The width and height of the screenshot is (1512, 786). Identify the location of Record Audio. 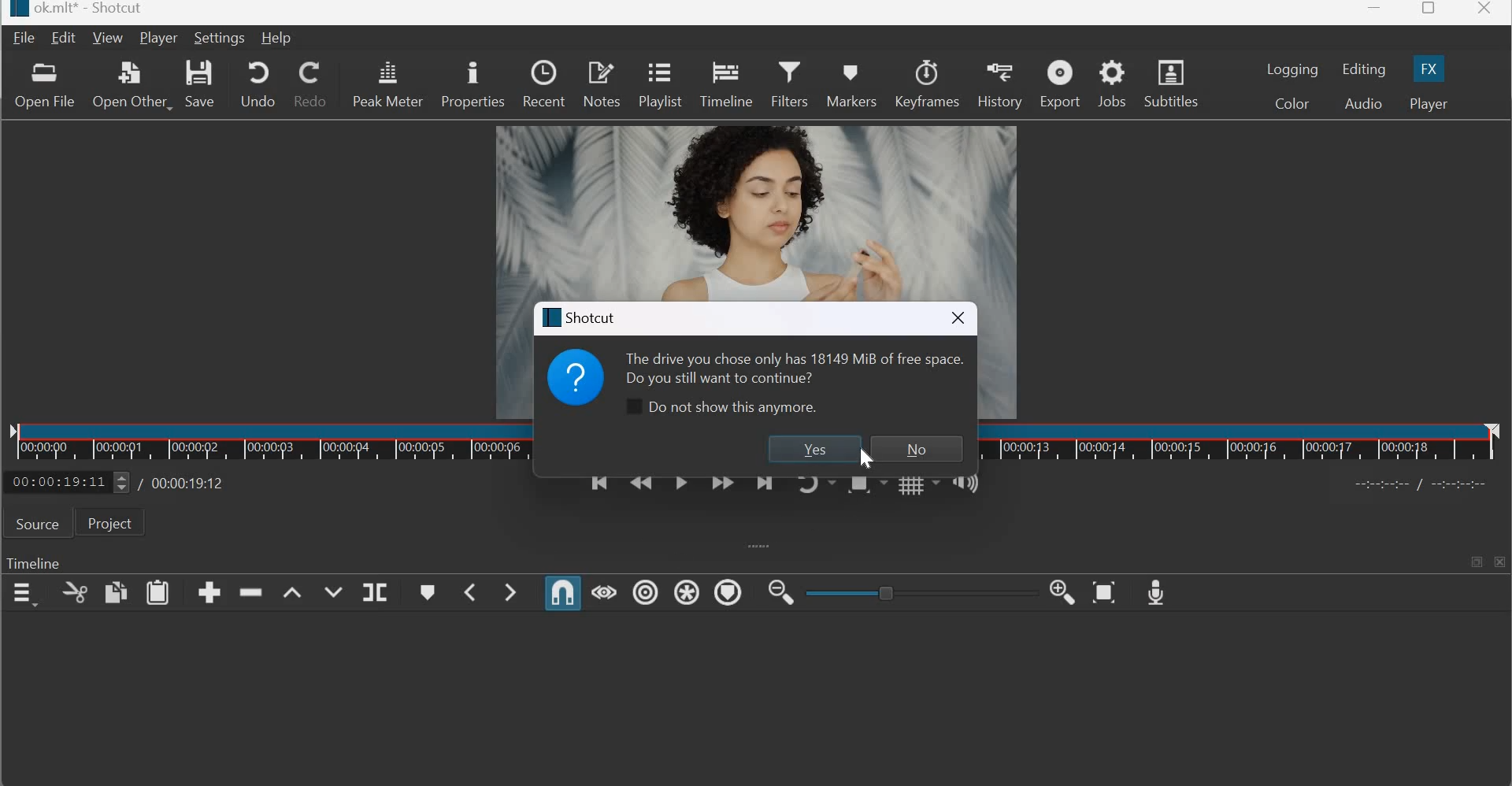
(1157, 591).